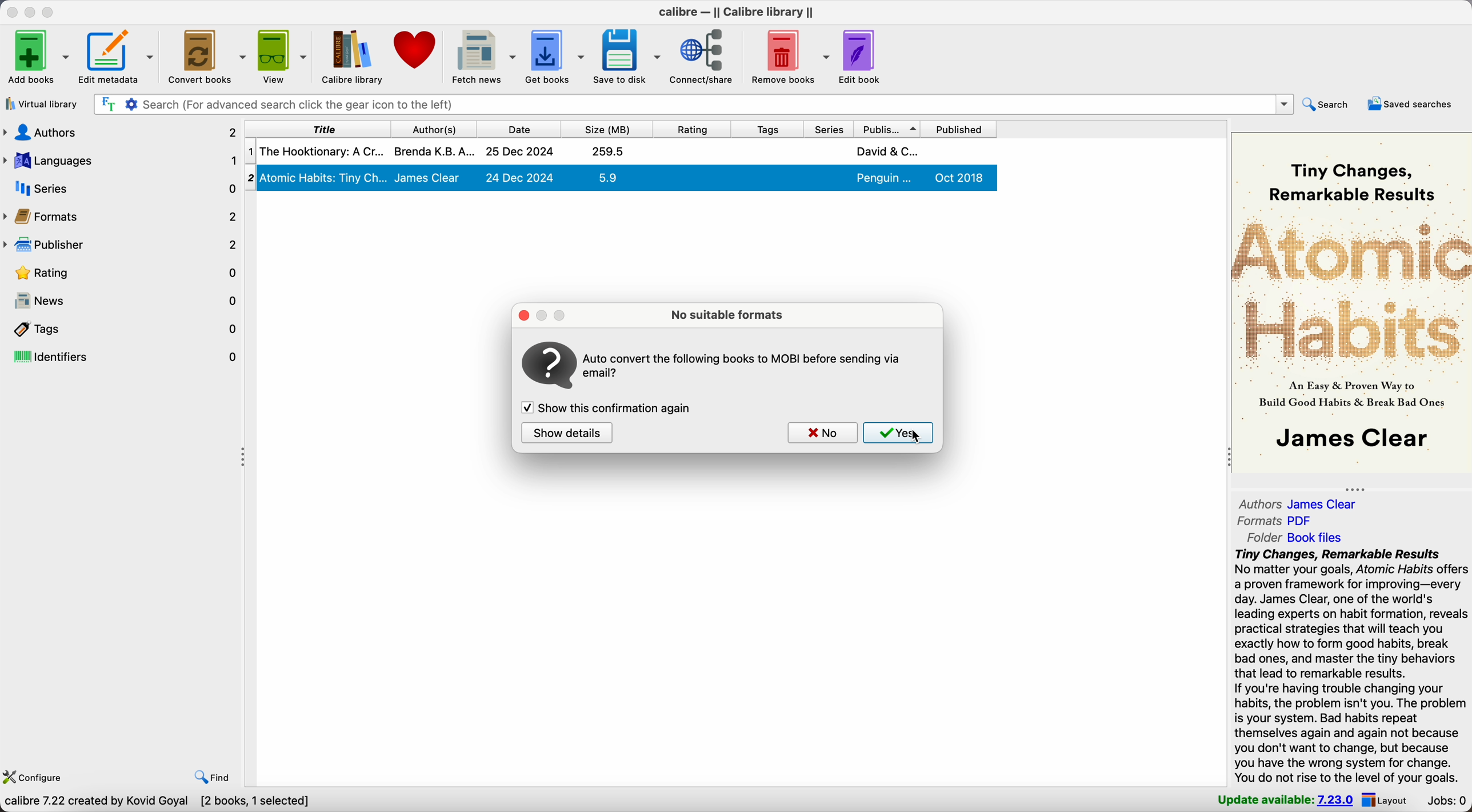 The image size is (1472, 812). What do you see at coordinates (1330, 105) in the screenshot?
I see `search` at bounding box center [1330, 105].